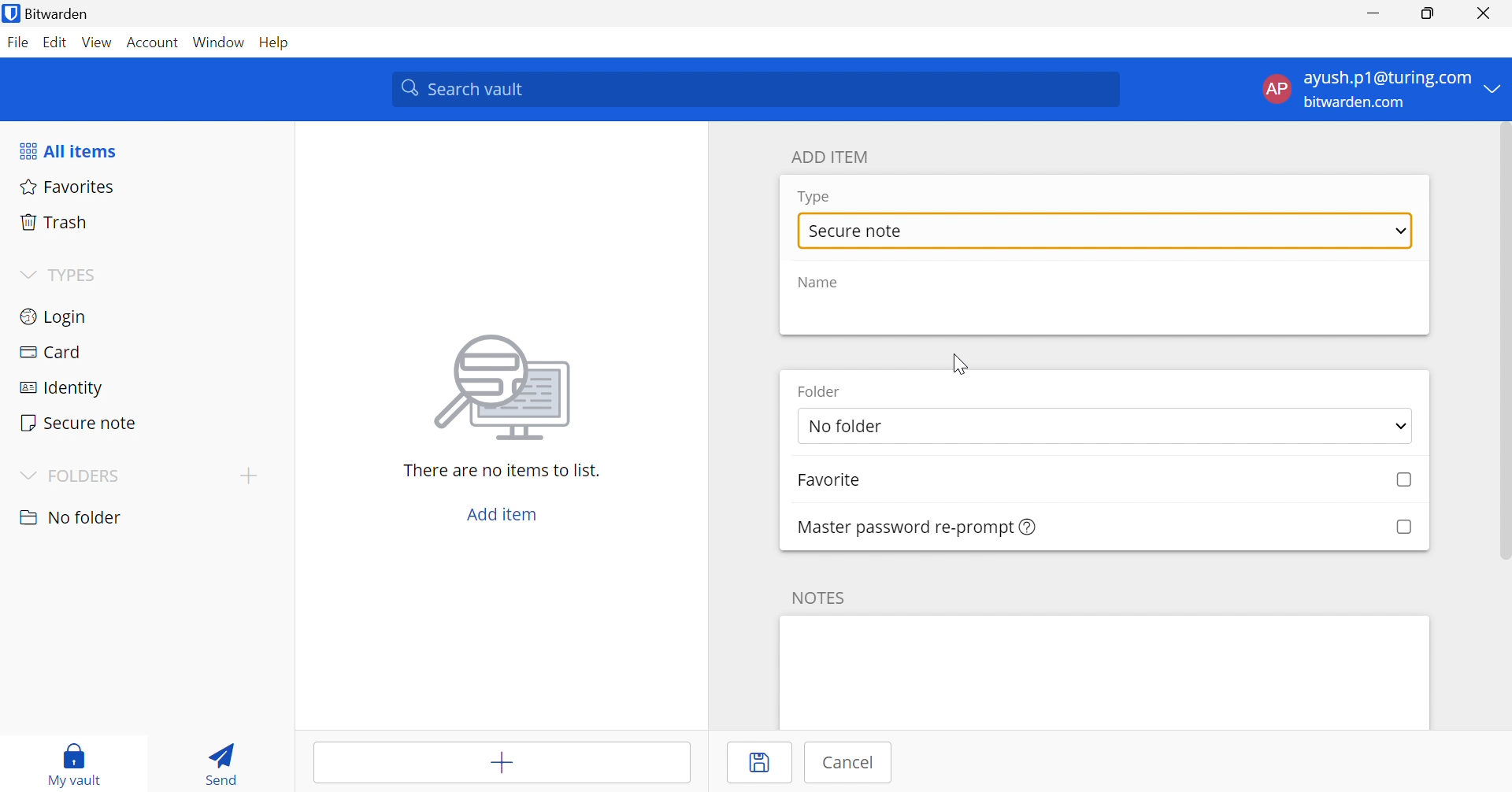 The width and height of the screenshot is (1512, 792). I want to click on Window, so click(220, 42).